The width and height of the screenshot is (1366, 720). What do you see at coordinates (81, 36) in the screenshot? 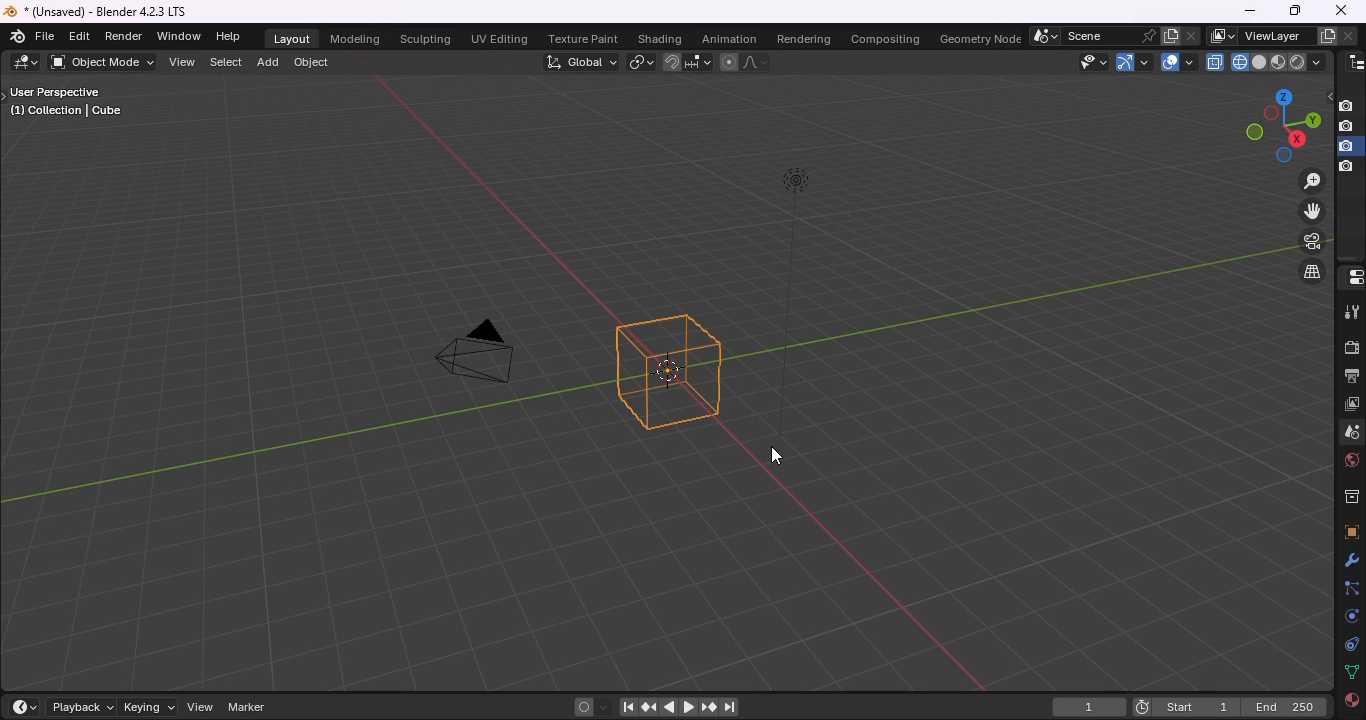
I see `edit` at bounding box center [81, 36].